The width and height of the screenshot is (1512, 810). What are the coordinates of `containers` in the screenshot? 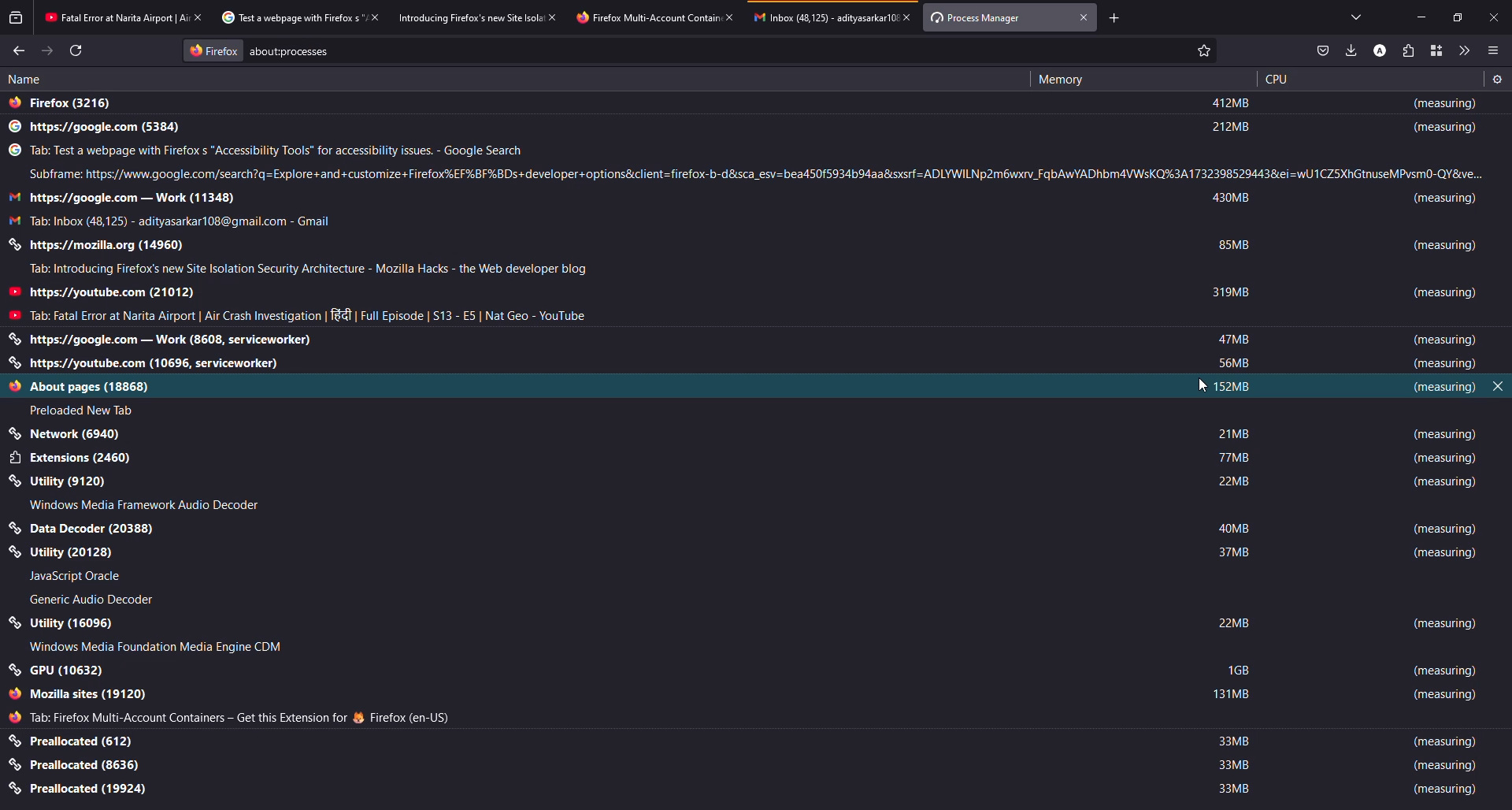 It's located at (1436, 50).